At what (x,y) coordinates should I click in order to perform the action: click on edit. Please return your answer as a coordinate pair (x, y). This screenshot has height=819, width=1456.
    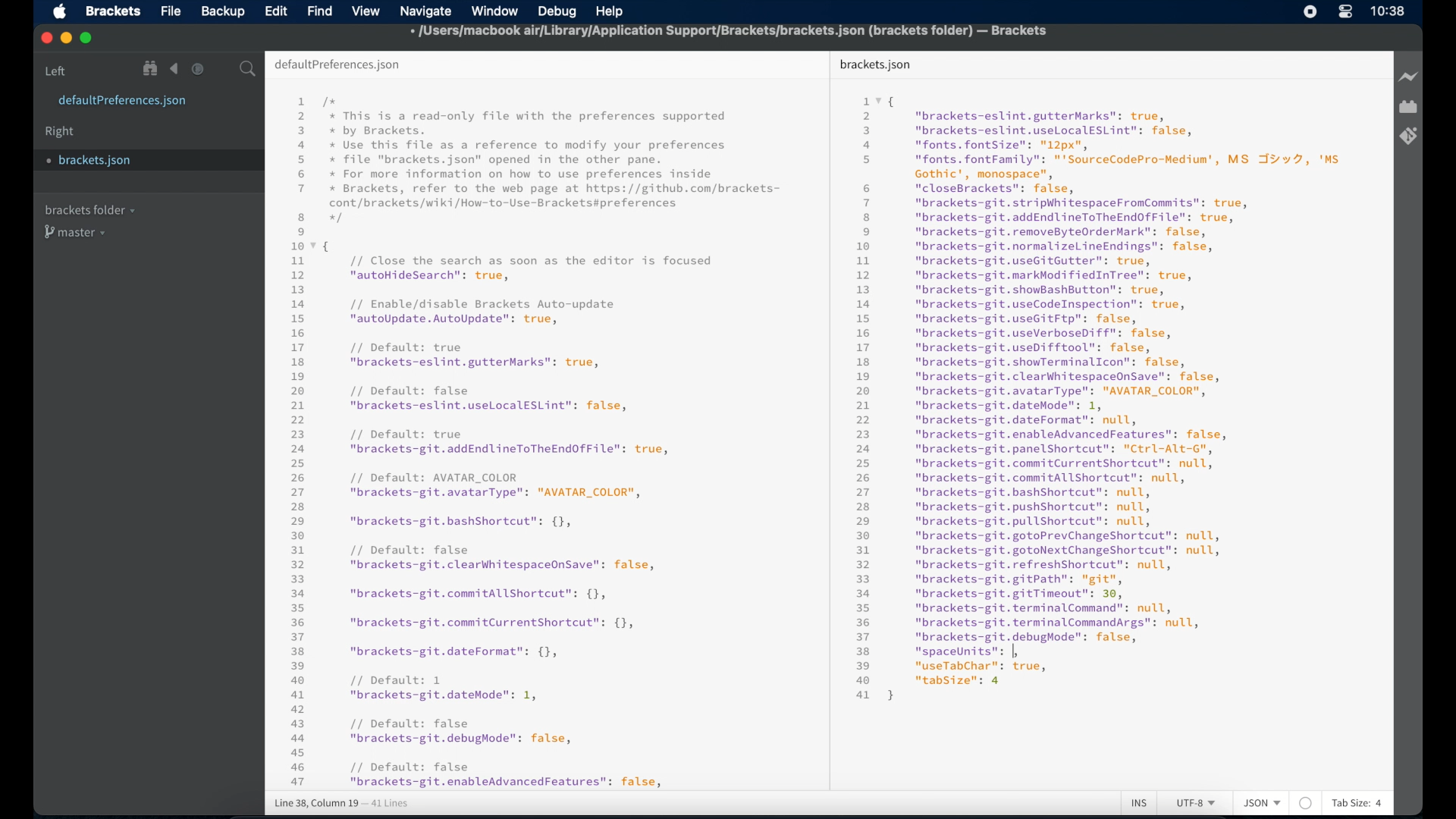
    Looking at the image, I should click on (275, 11).